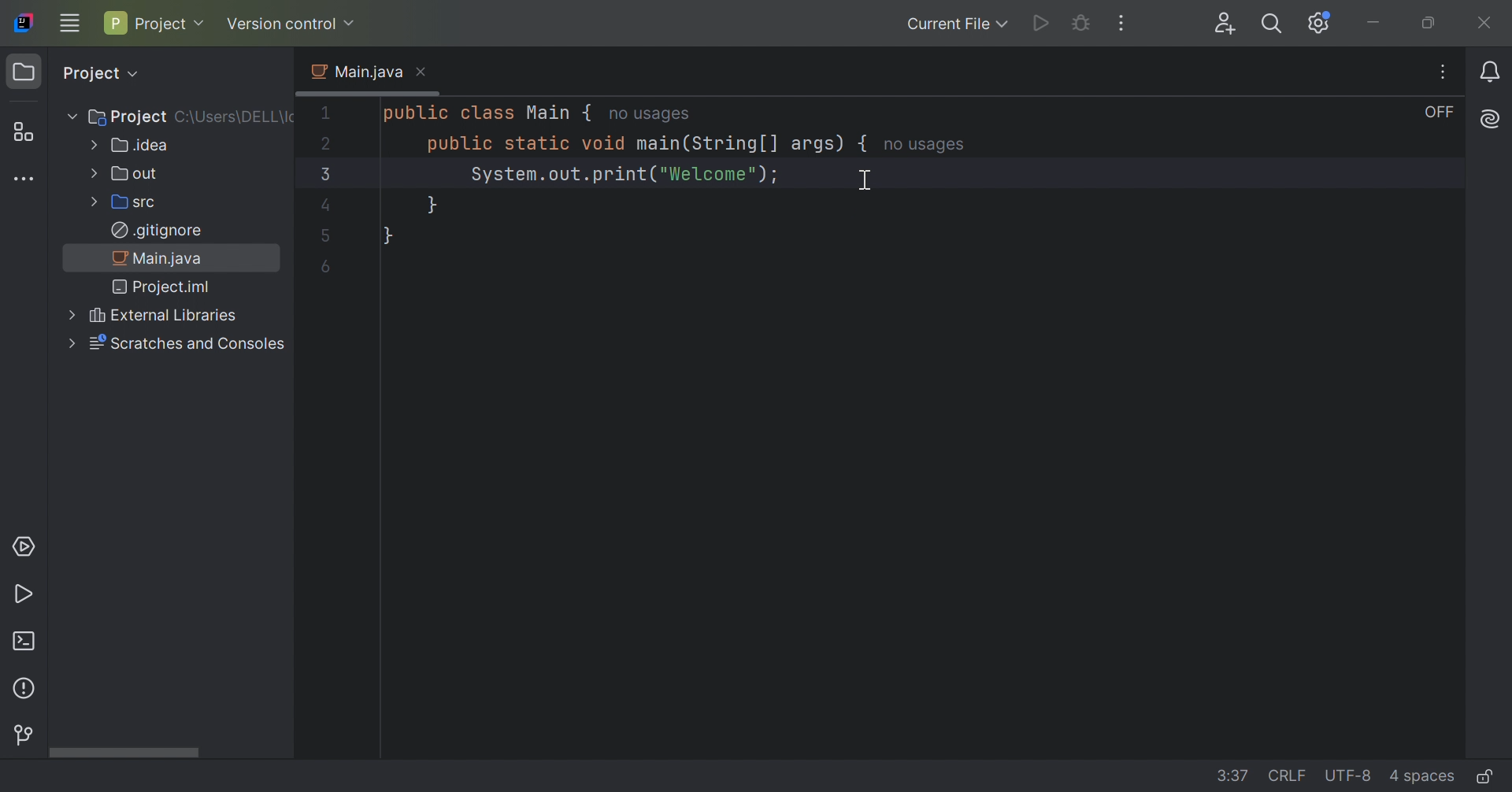 The width and height of the screenshot is (1512, 792). I want to click on IntelliJ IDEA icon, so click(21, 24).